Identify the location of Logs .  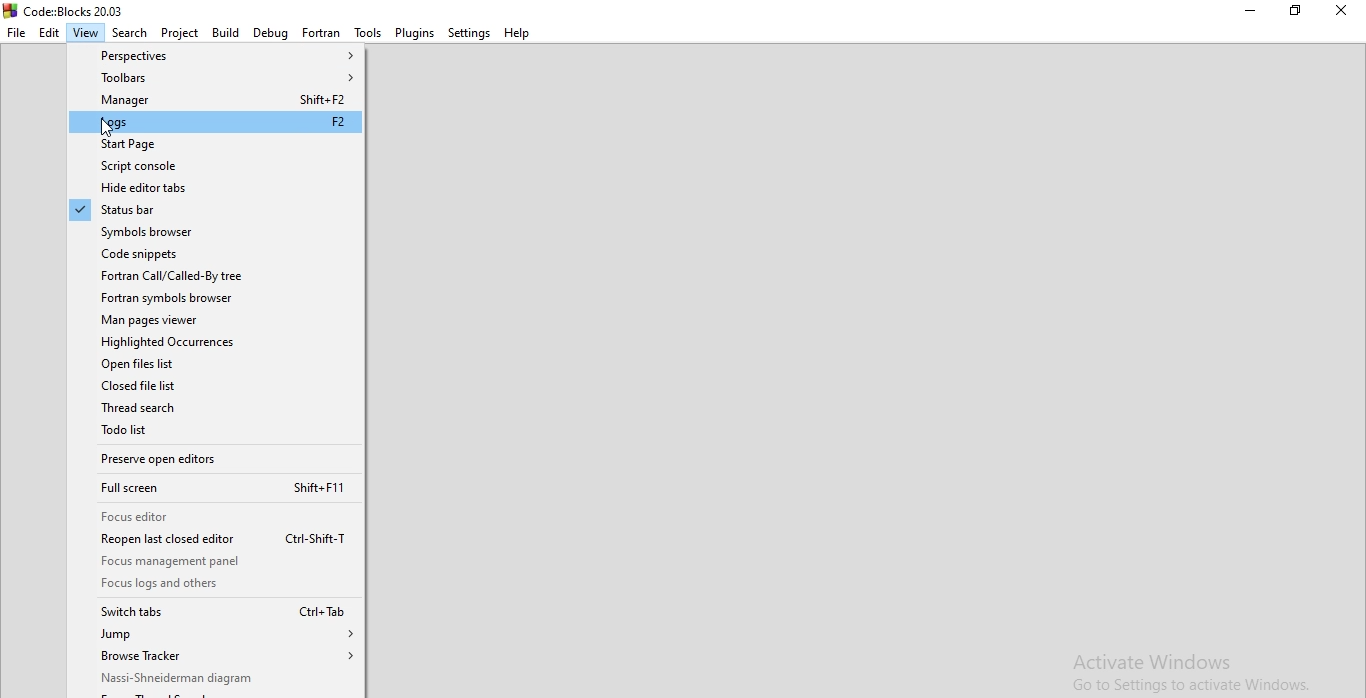
(216, 123).